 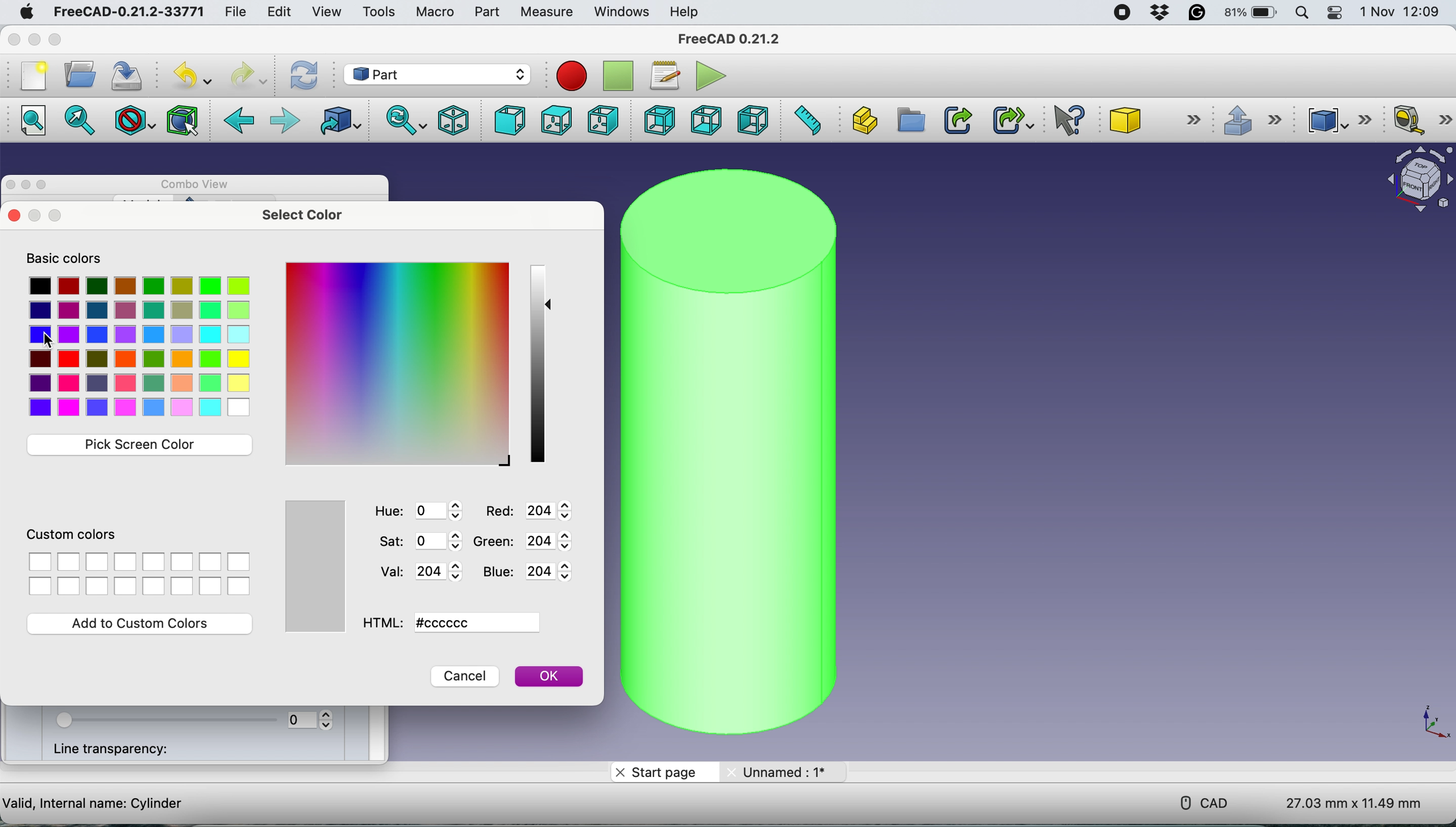 What do you see at coordinates (400, 363) in the screenshot?
I see `pick color` at bounding box center [400, 363].